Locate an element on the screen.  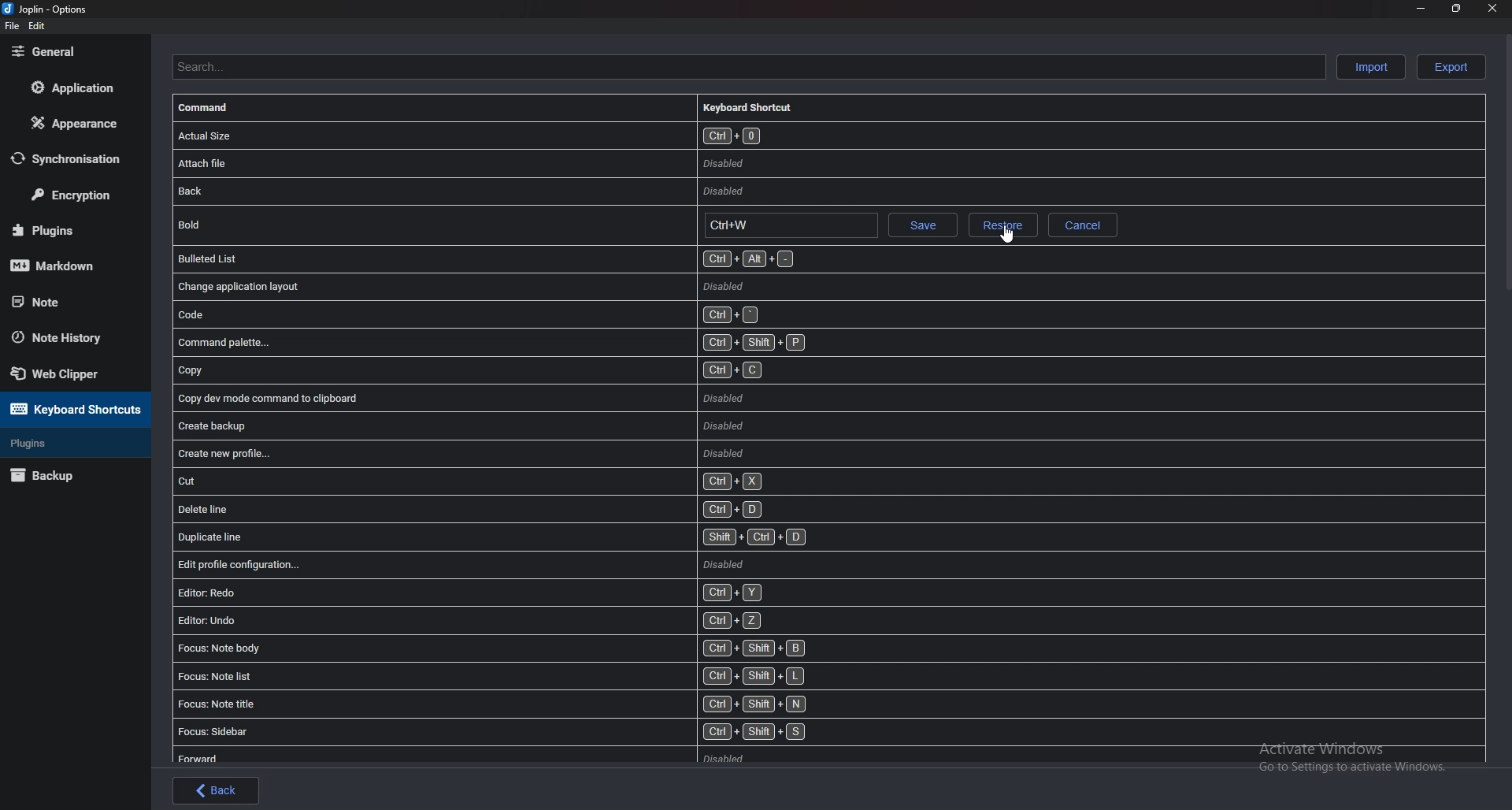
Appearance is located at coordinates (75, 122).